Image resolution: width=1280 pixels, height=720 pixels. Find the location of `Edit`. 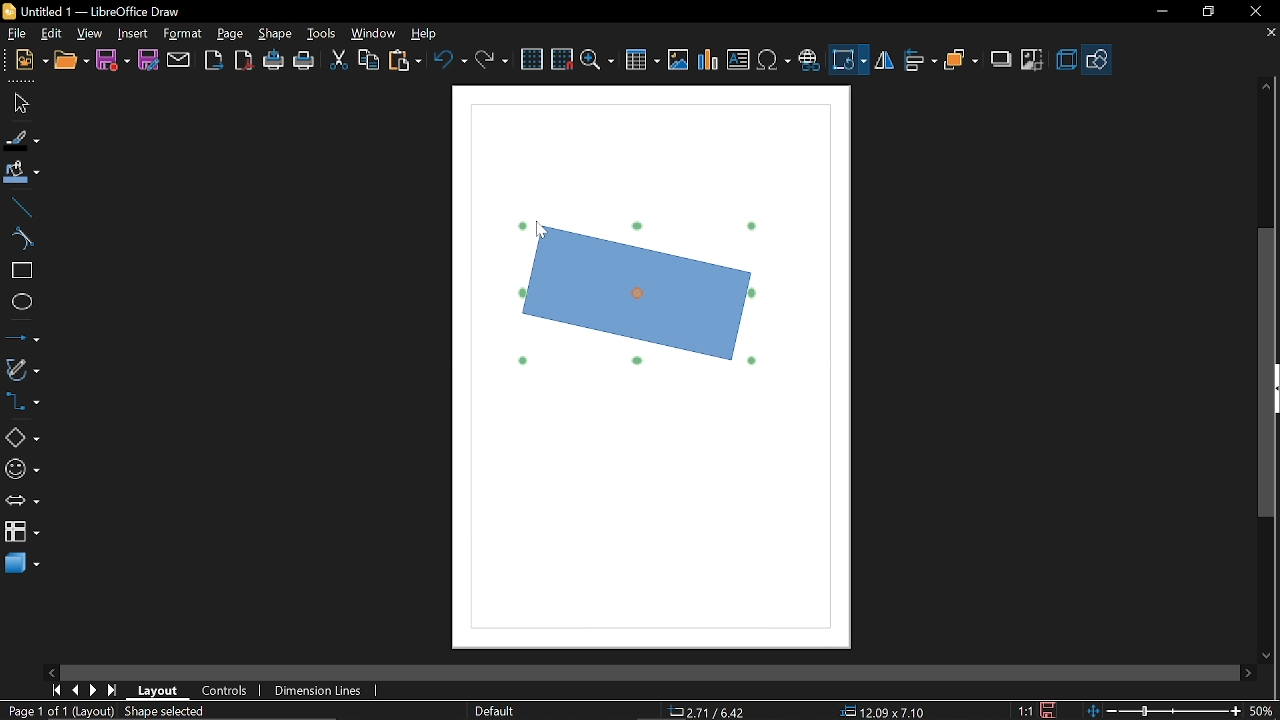

Edit is located at coordinates (53, 32).